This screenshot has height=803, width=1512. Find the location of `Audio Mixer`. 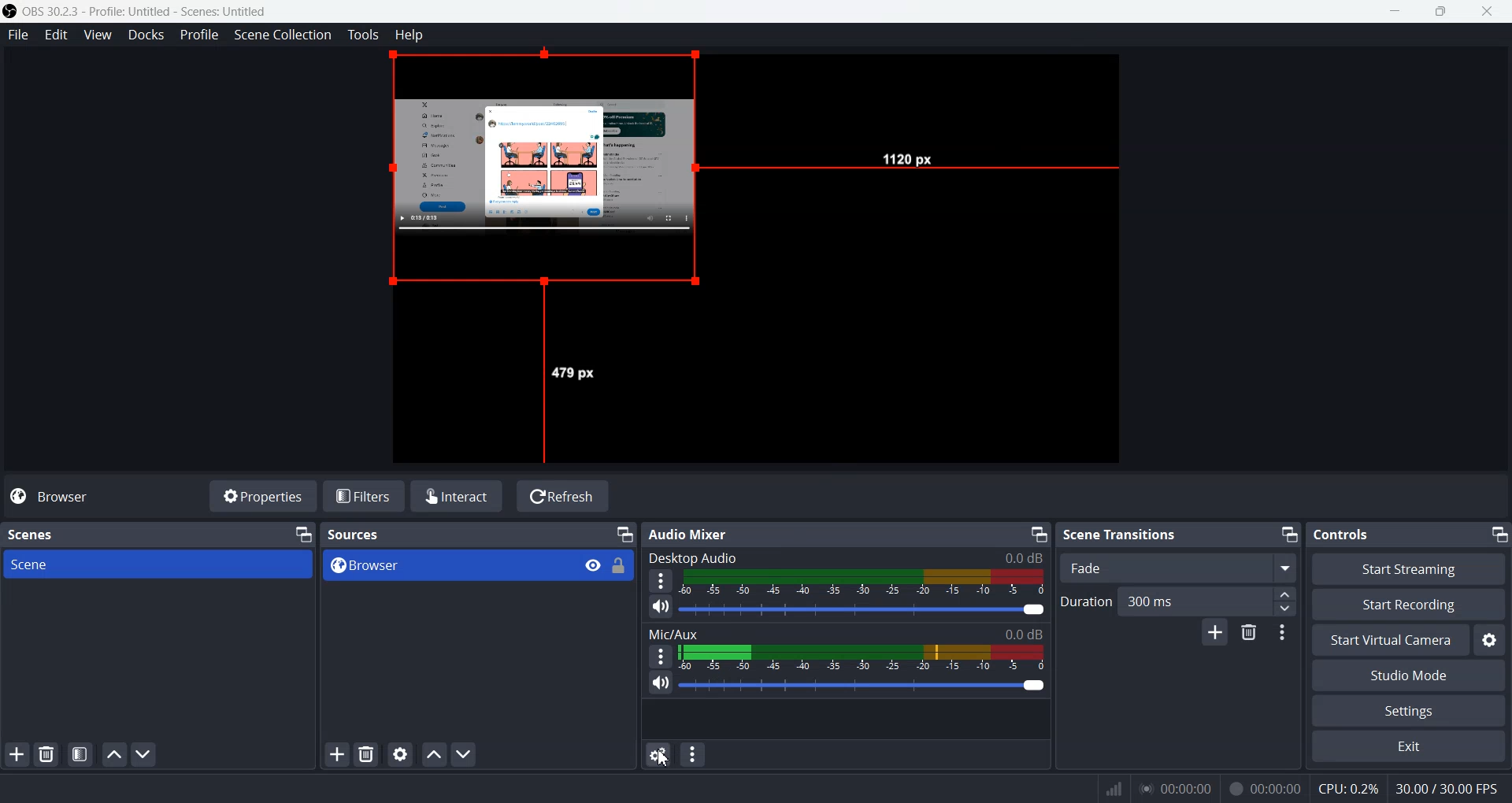

Audio Mixer is located at coordinates (695, 534).